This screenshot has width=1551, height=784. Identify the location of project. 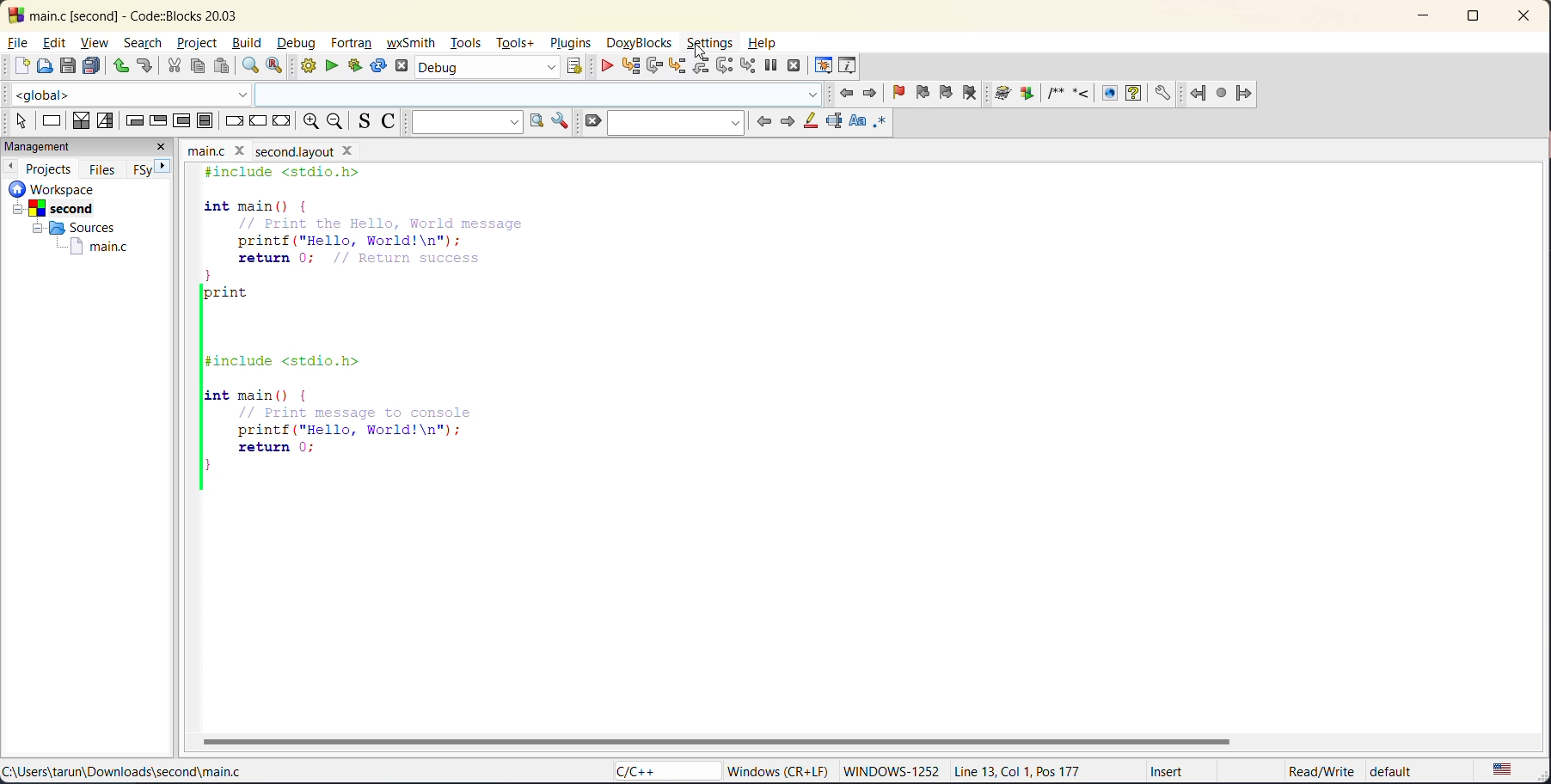
(197, 41).